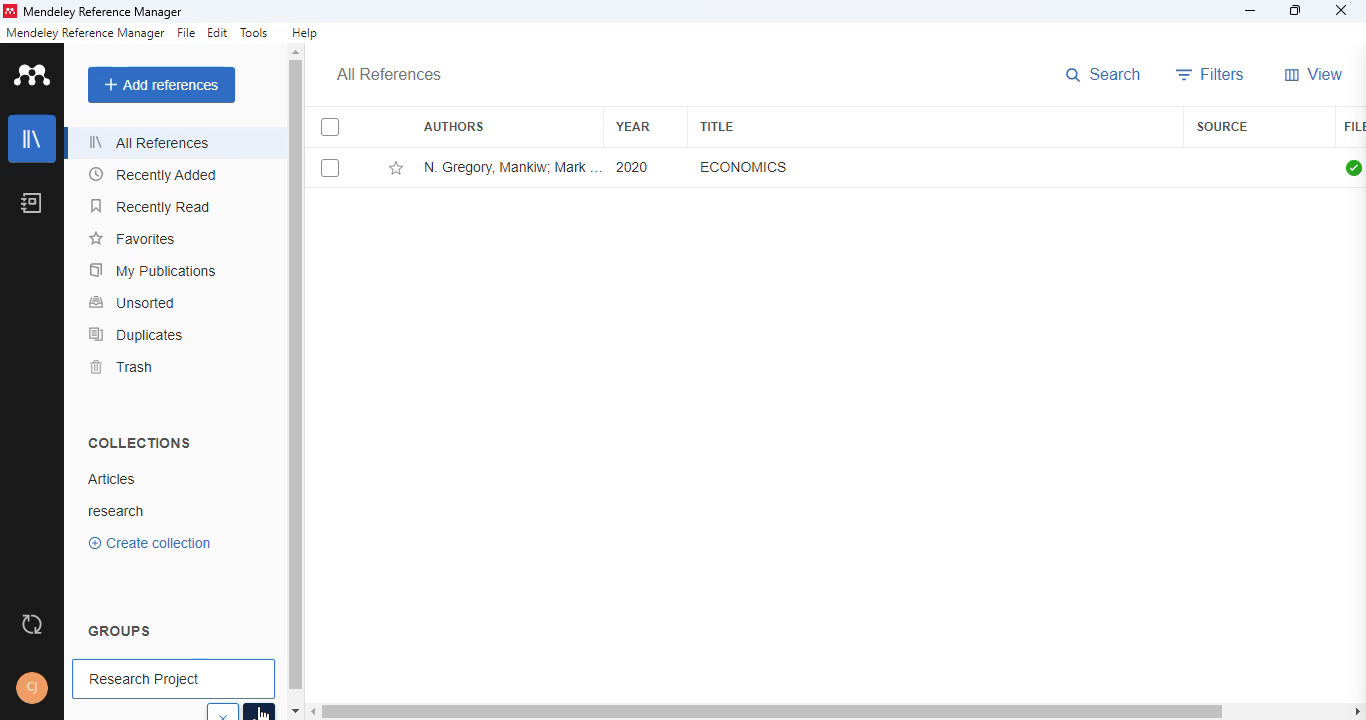 The image size is (1366, 720). Describe the element at coordinates (513, 167) in the screenshot. I see `N. Gregory Mankiw, Mark P. Taylor` at that location.